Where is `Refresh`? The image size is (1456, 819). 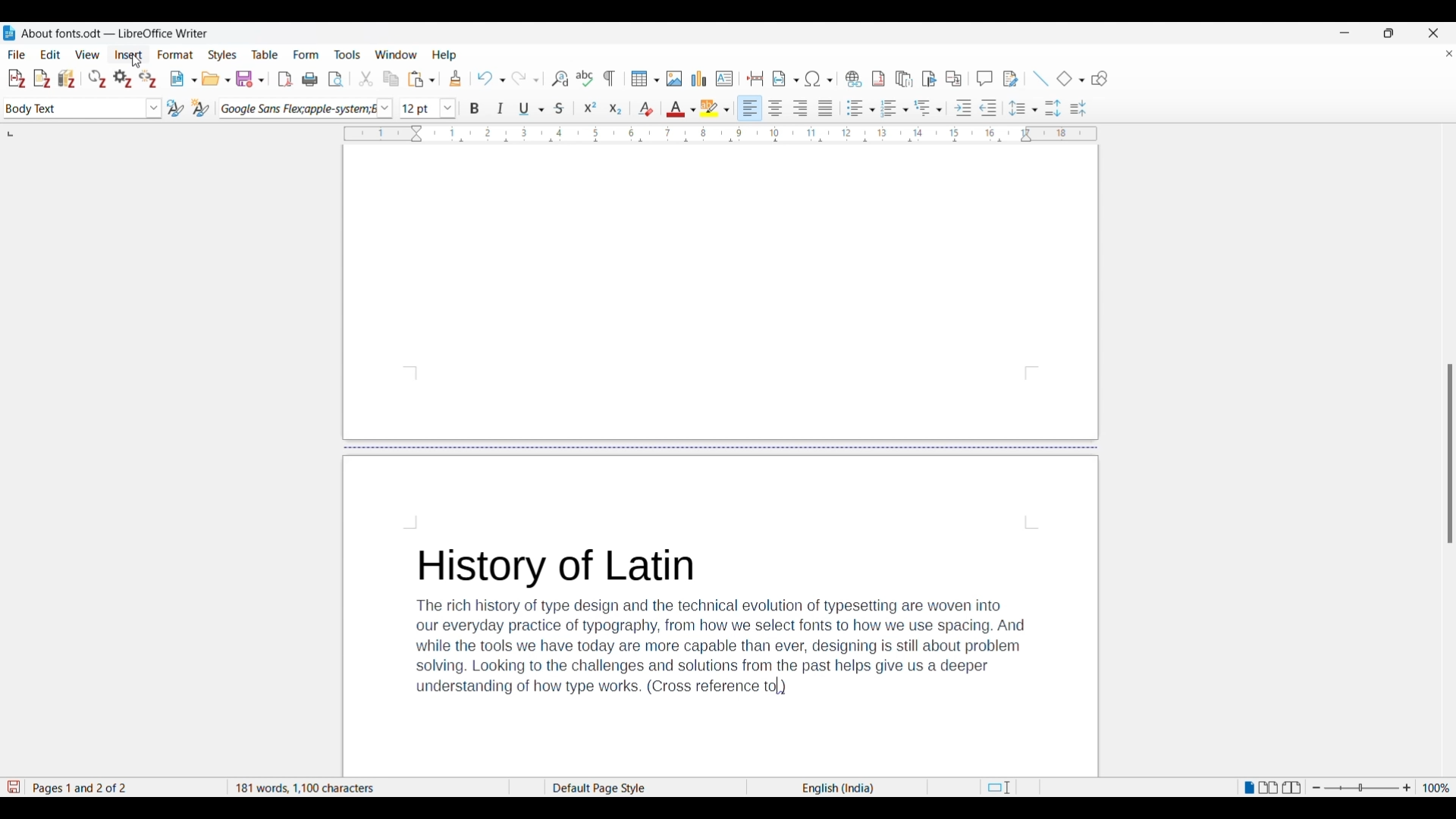
Refresh is located at coordinates (98, 79).